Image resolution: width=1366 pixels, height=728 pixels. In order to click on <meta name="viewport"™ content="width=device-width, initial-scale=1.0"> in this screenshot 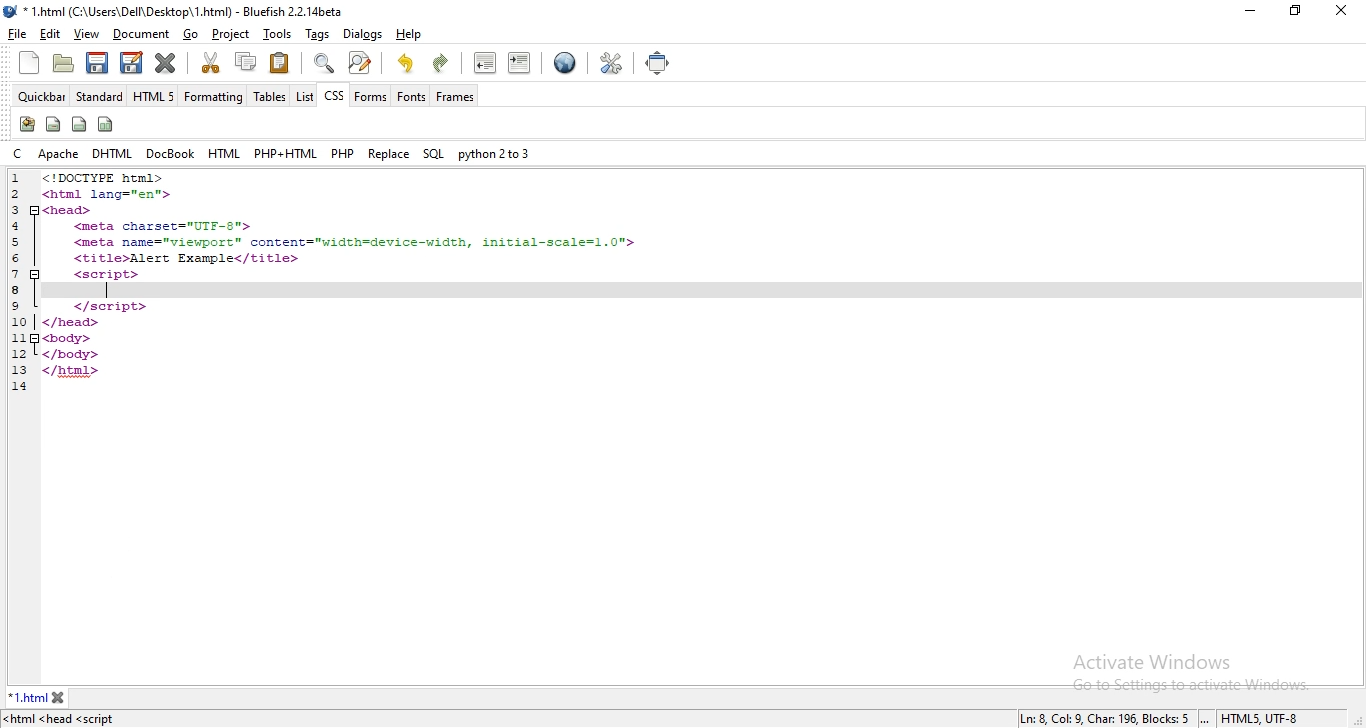, I will do `click(355, 242)`.